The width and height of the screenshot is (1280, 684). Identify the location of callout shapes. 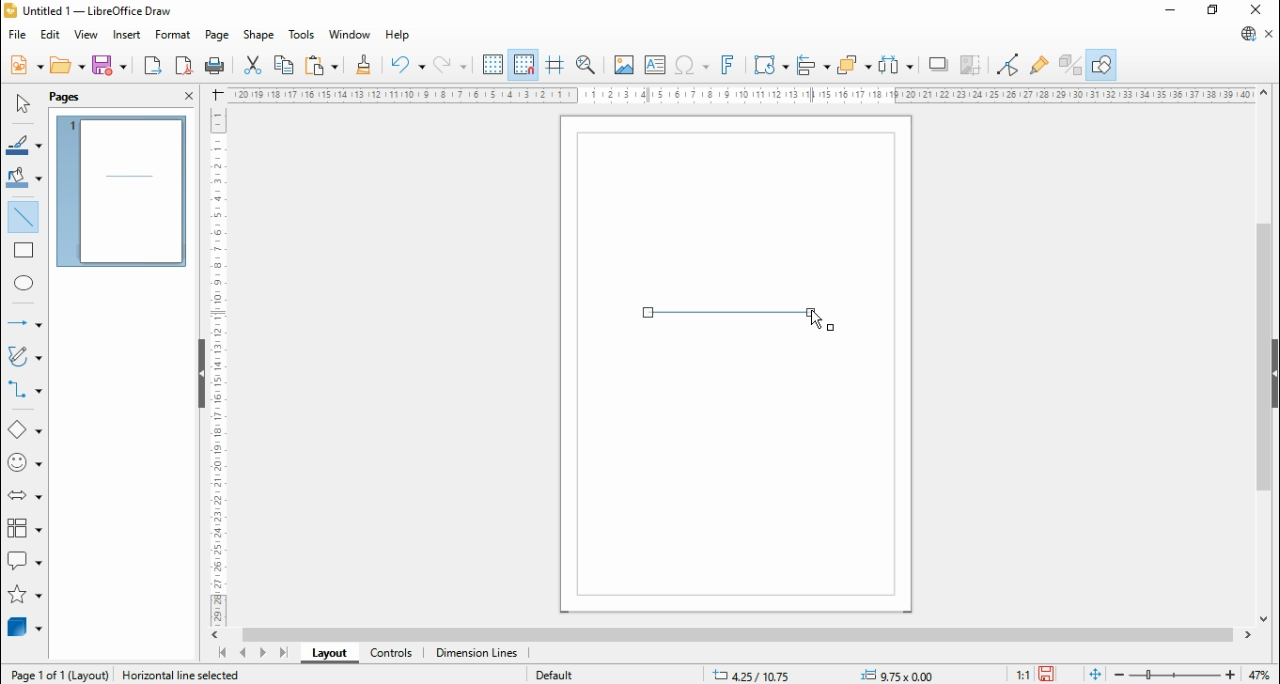
(25, 560).